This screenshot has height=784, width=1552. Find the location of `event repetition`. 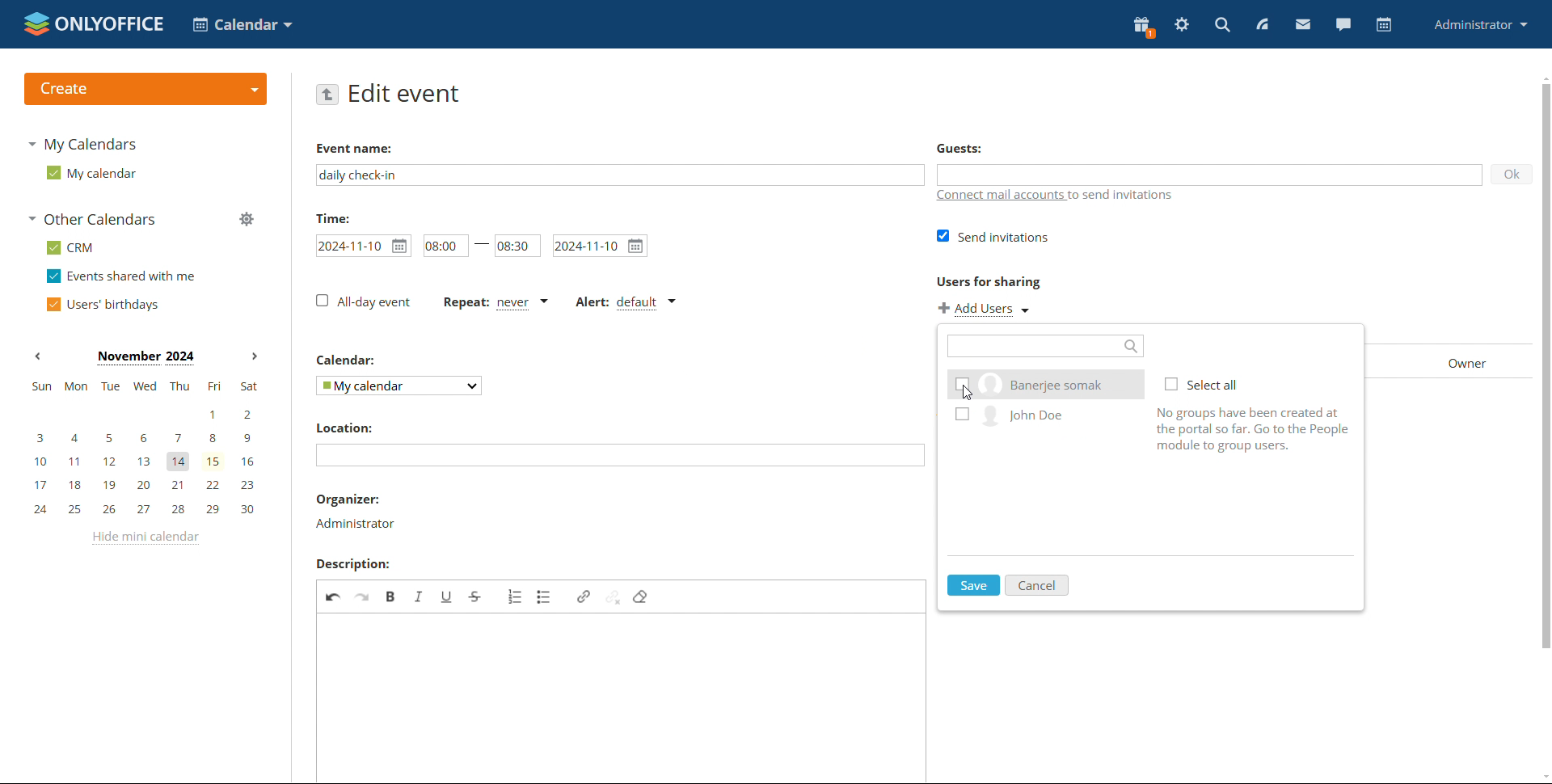

event repetition is located at coordinates (496, 304).